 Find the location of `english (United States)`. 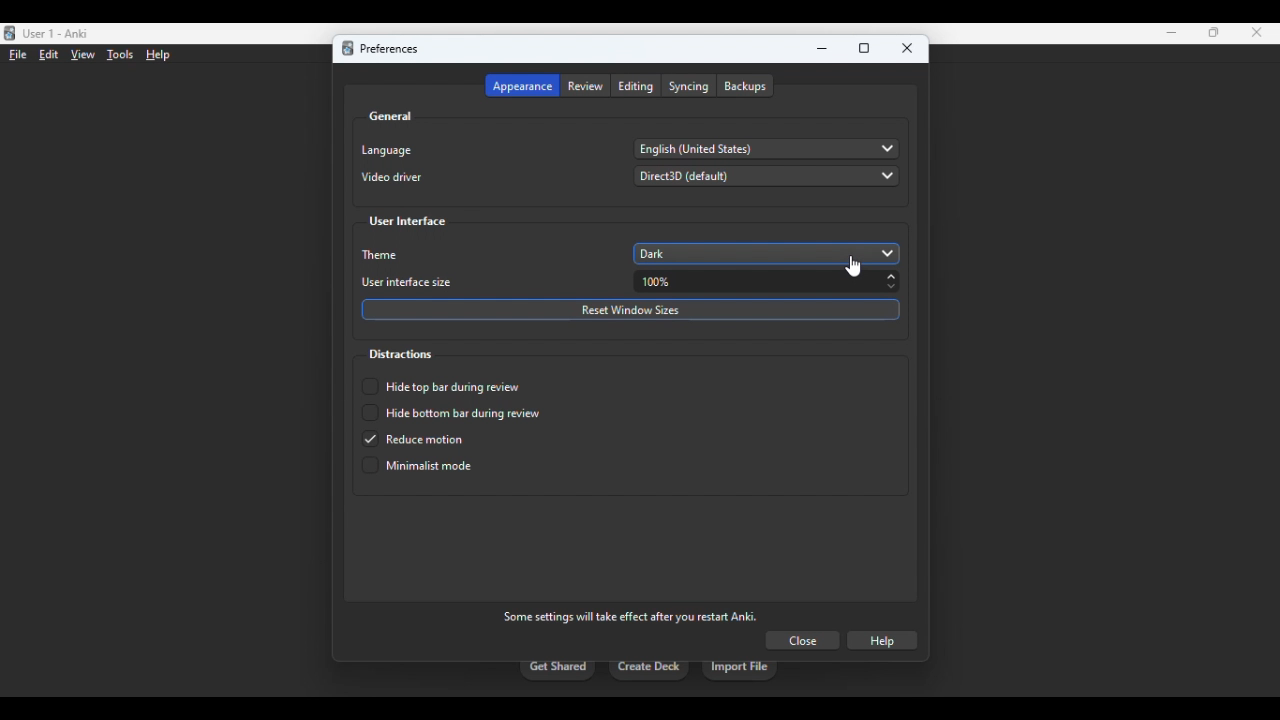

english (United States) is located at coordinates (768, 149).